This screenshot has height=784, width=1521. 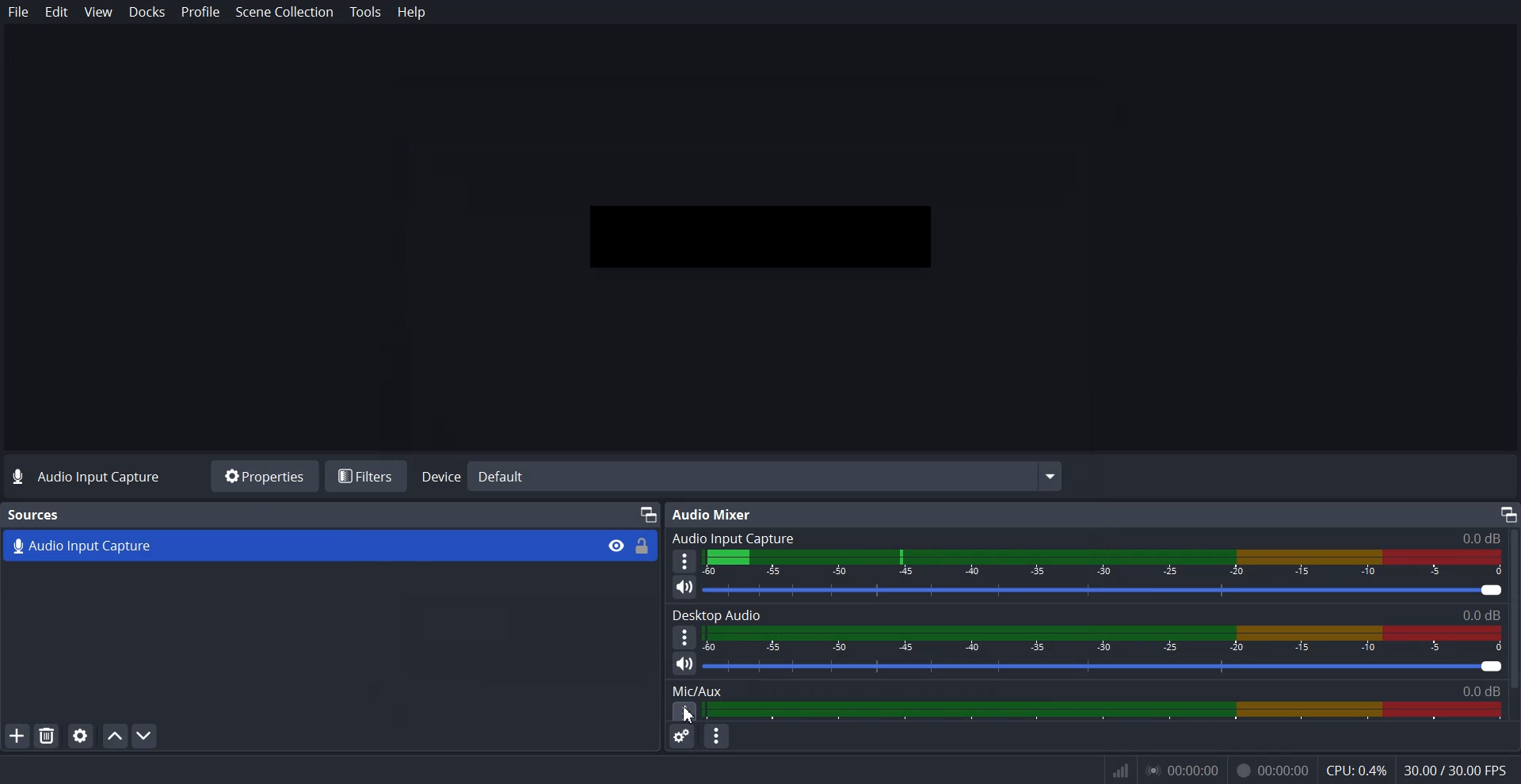 I want to click on Inf, so click(x=1121, y=771).